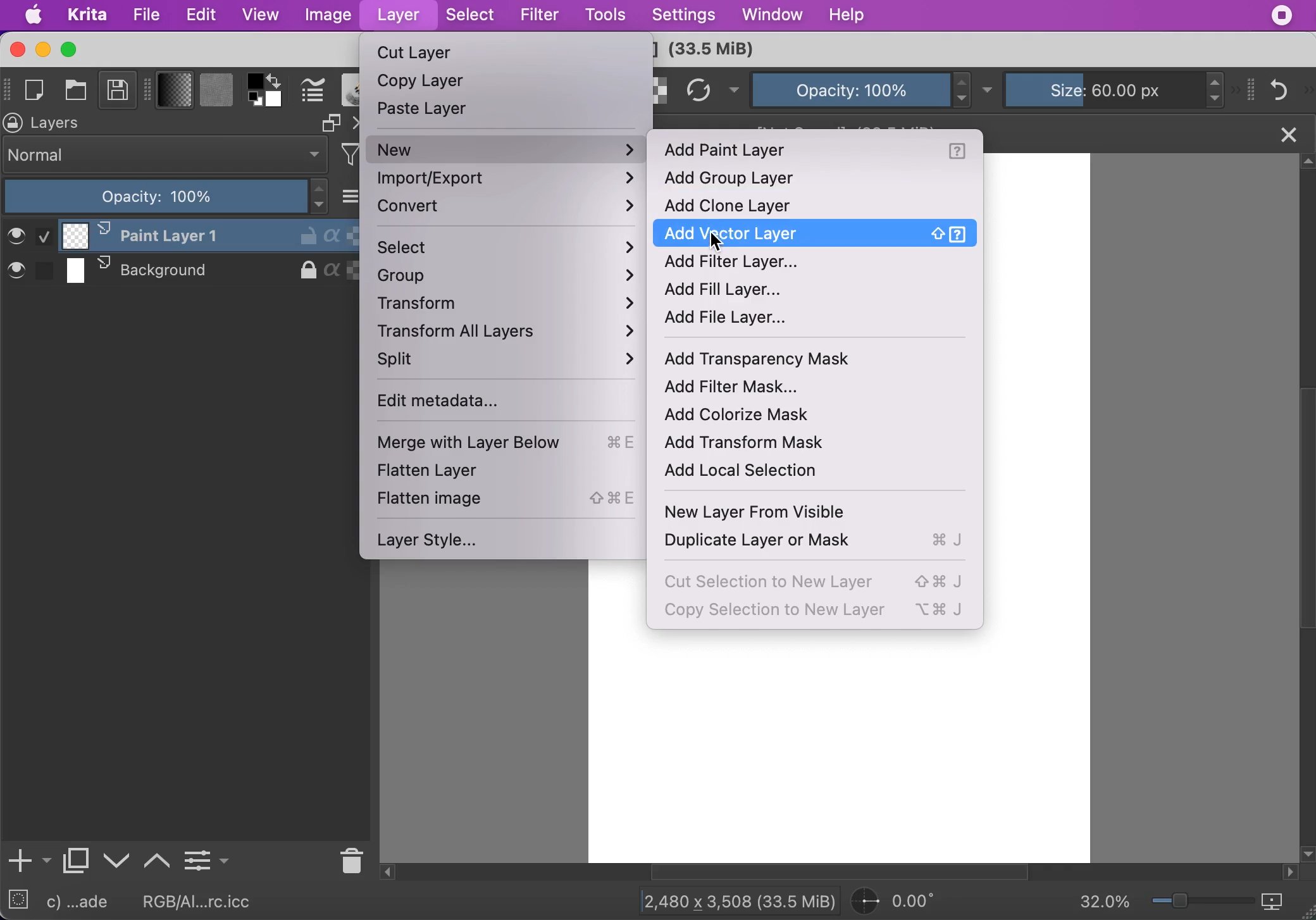 The width and height of the screenshot is (1316, 920). Describe the element at coordinates (506, 149) in the screenshot. I see `new` at that location.